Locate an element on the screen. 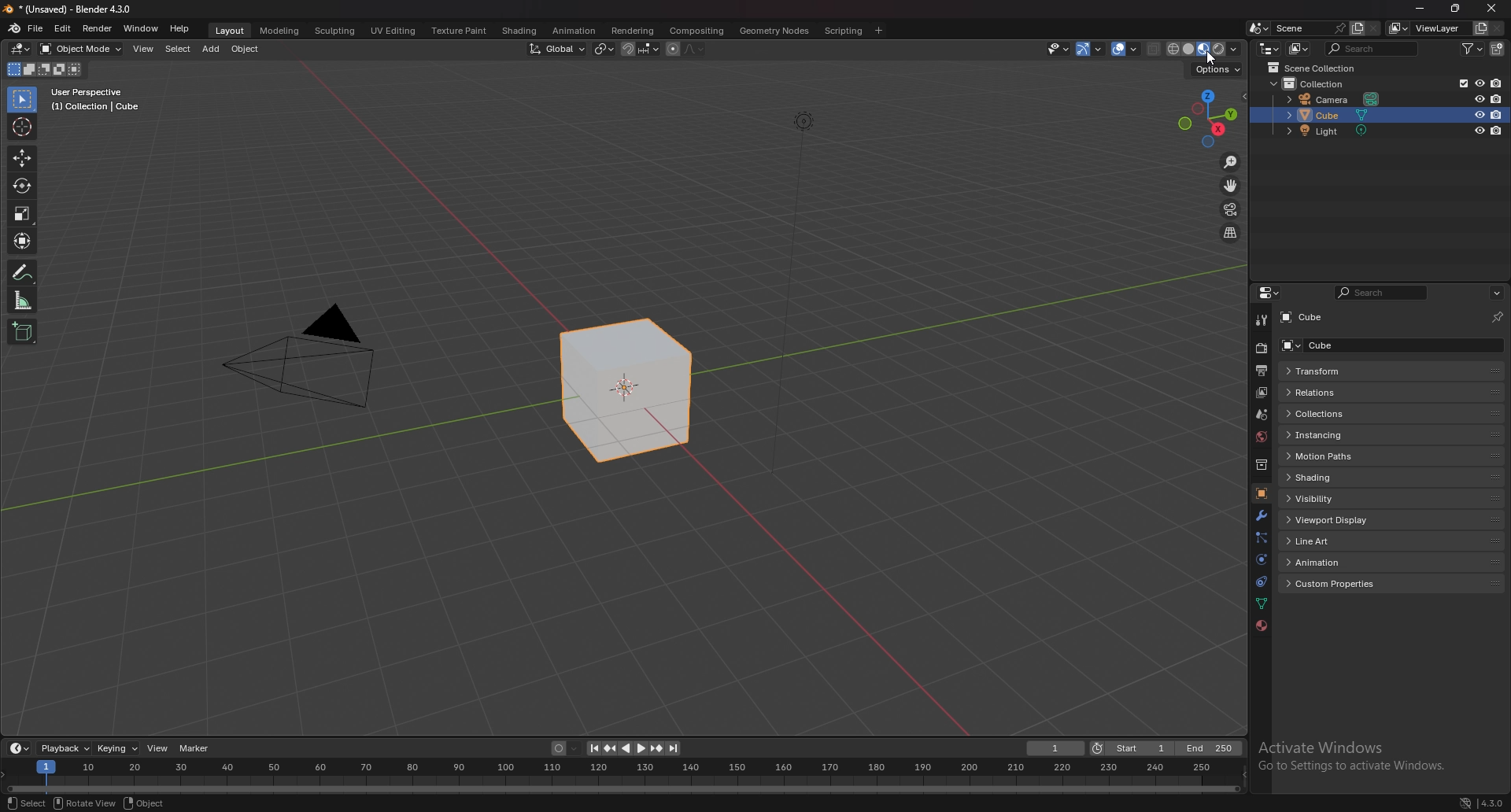  proportional editing objects is located at coordinates (671, 50).